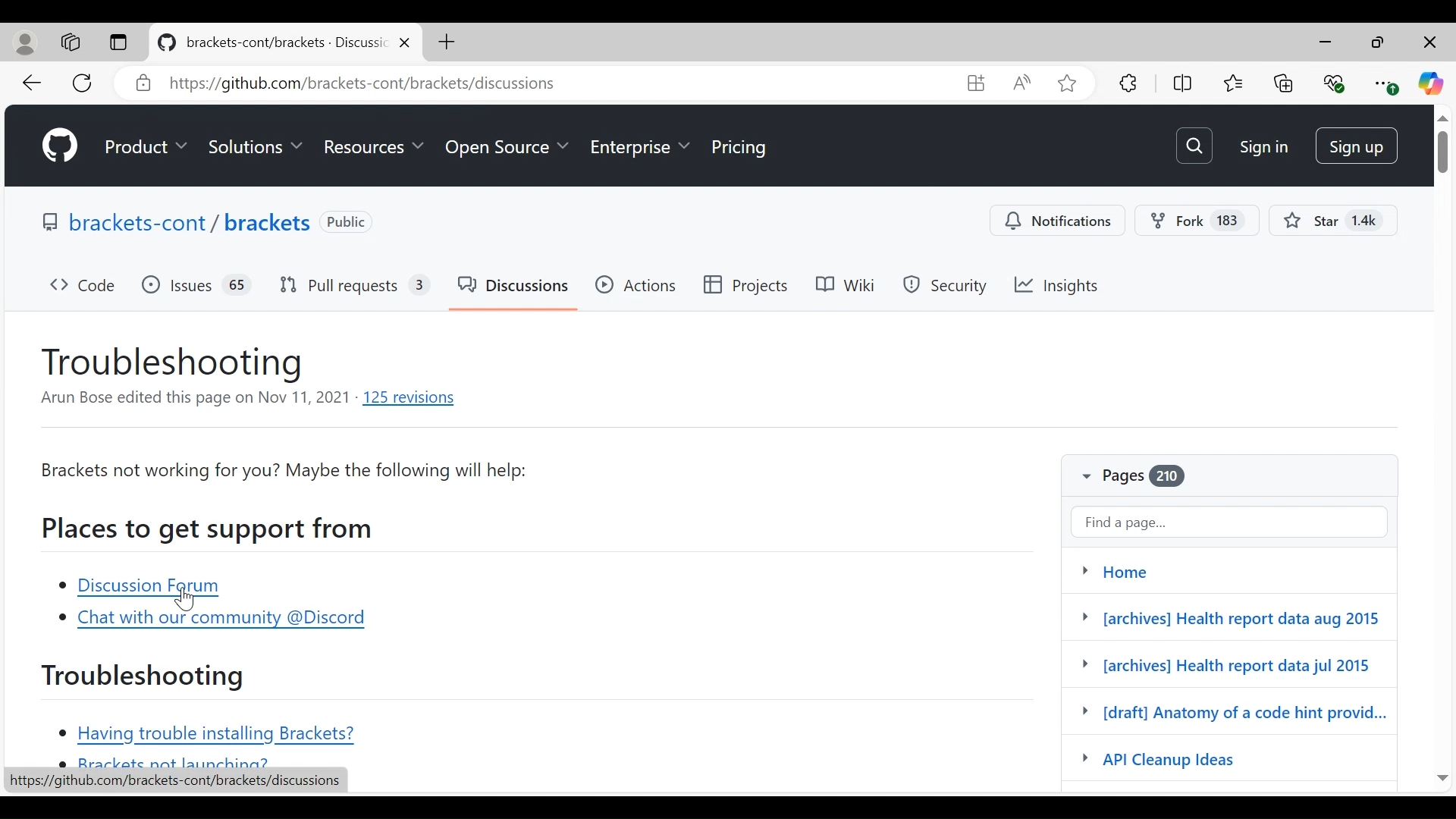 The image size is (1456, 819). What do you see at coordinates (1190, 759) in the screenshot?
I see `API Cleanup Ideas` at bounding box center [1190, 759].